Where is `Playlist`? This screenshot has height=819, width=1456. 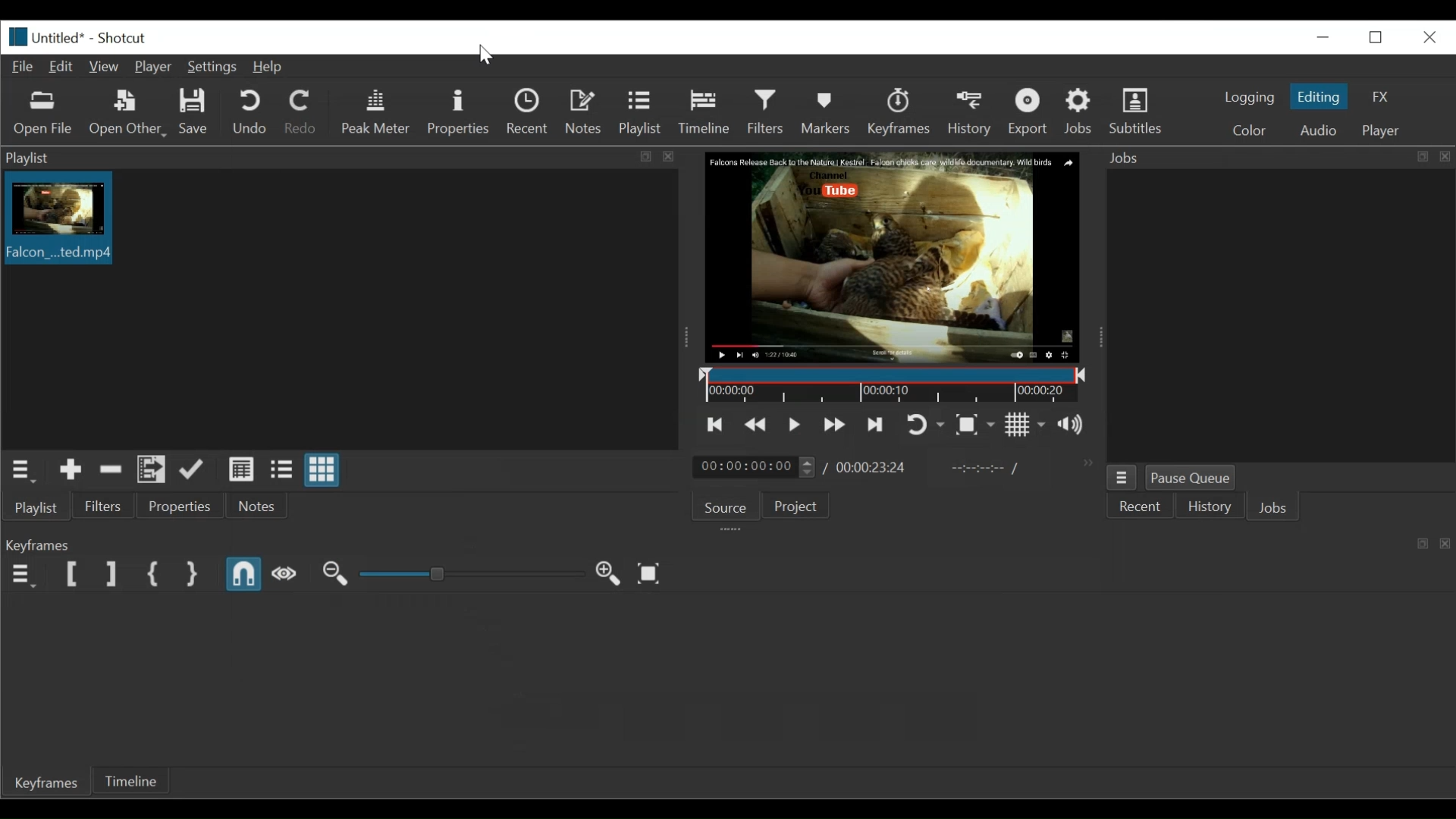 Playlist is located at coordinates (341, 158).